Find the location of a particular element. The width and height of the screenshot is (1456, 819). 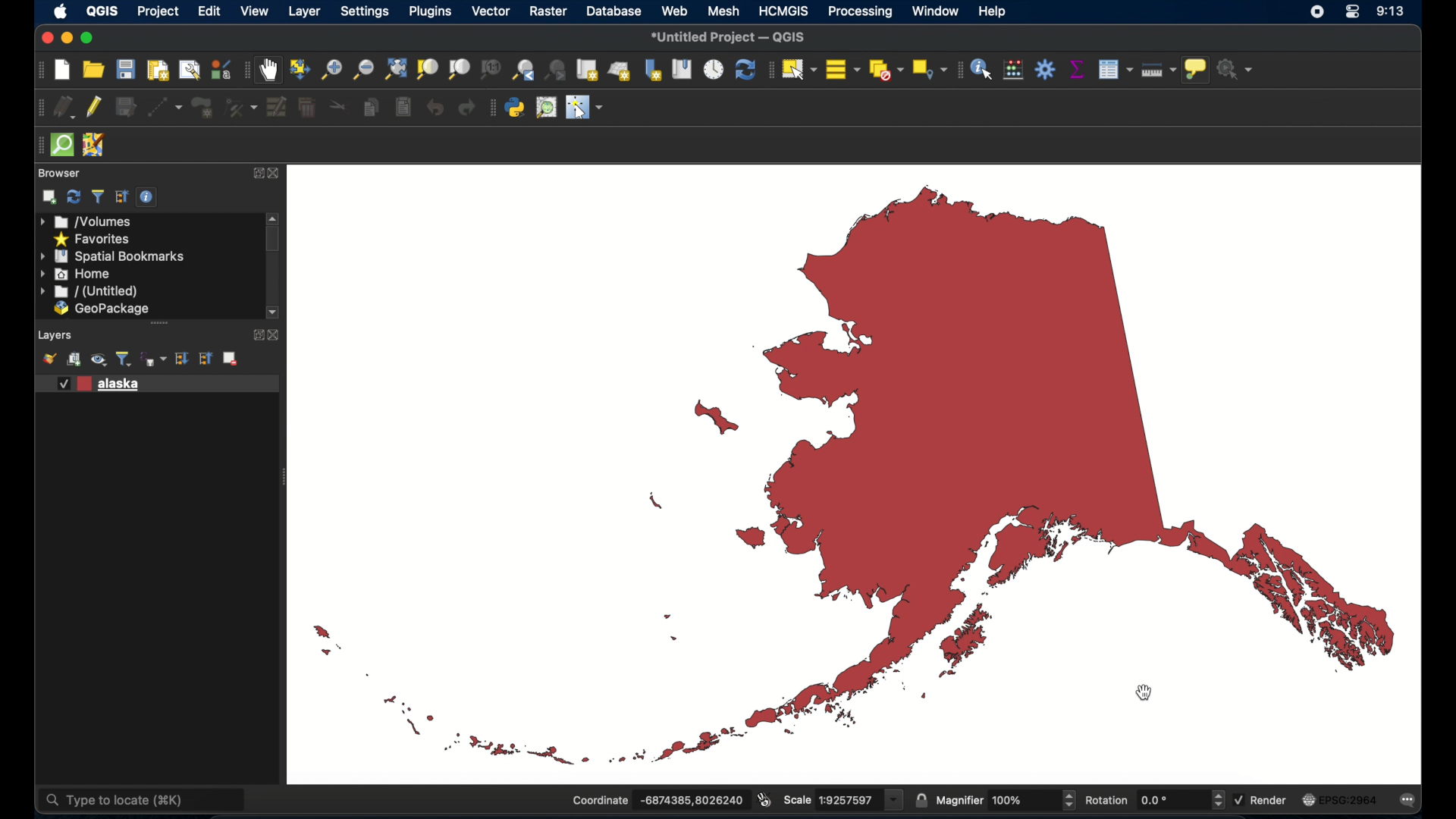

cut features is located at coordinates (336, 104).